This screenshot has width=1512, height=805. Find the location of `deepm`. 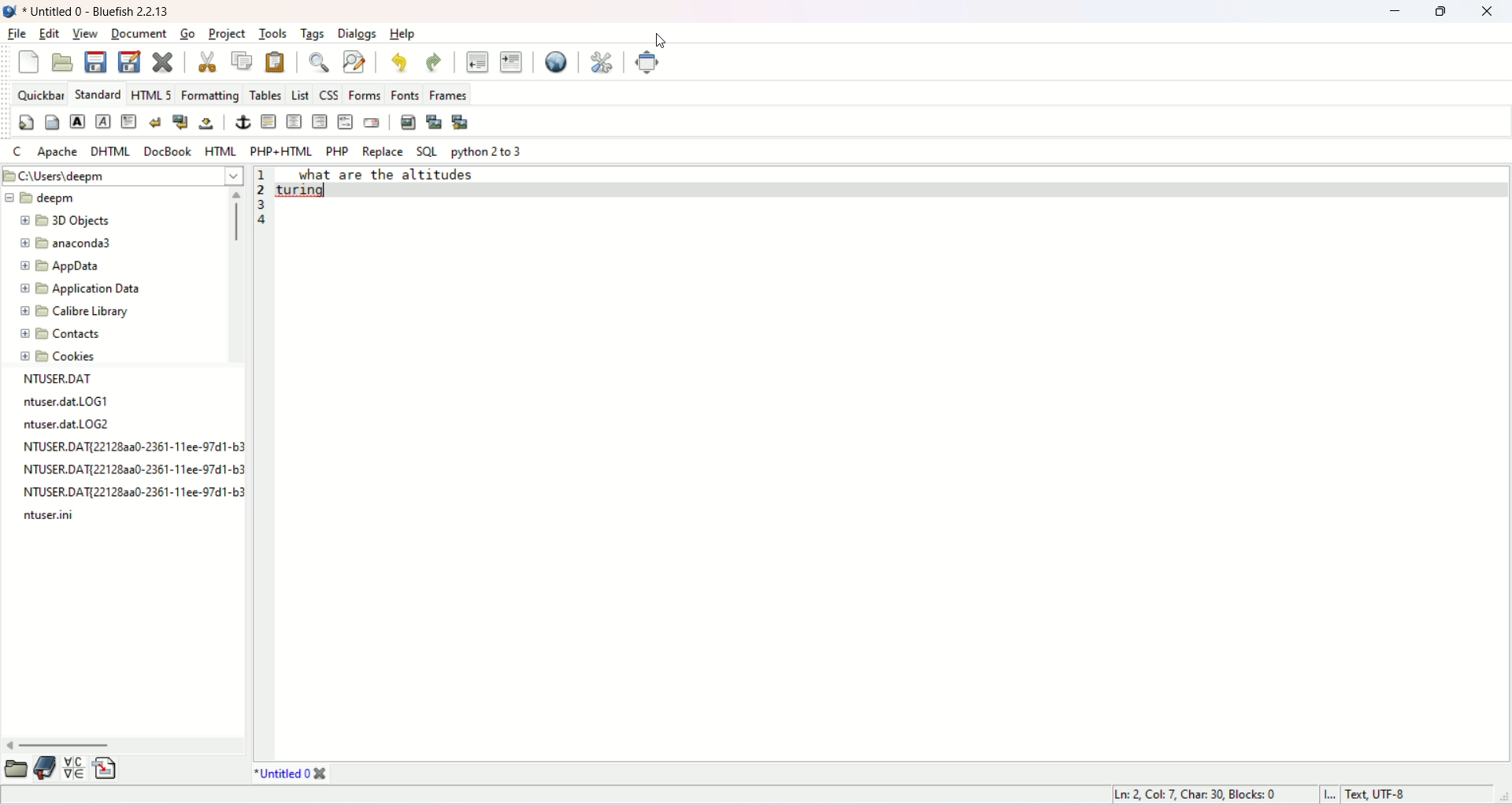

deepm is located at coordinates (41, 197).